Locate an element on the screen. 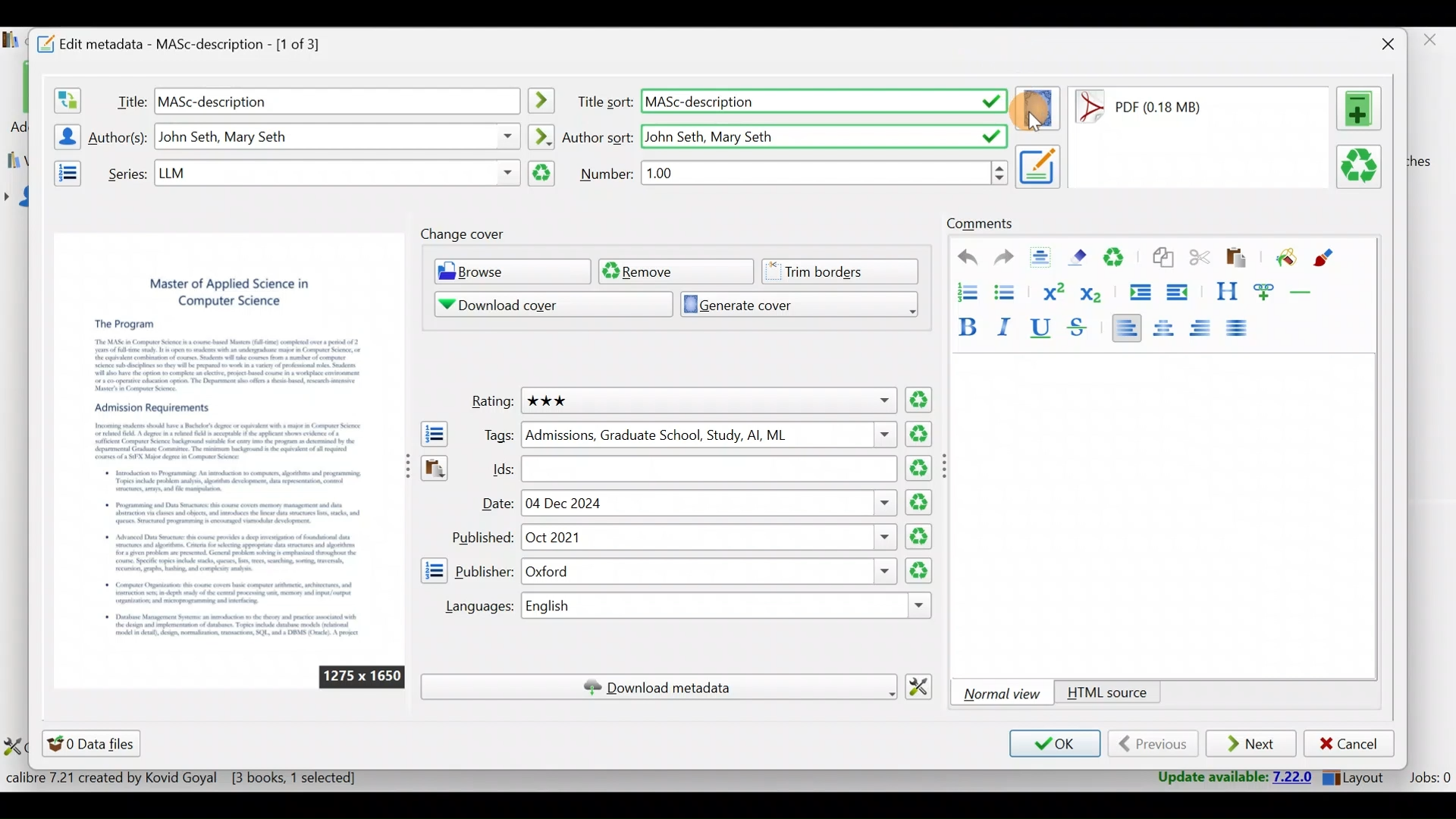   is located at coordinates (709, 435).